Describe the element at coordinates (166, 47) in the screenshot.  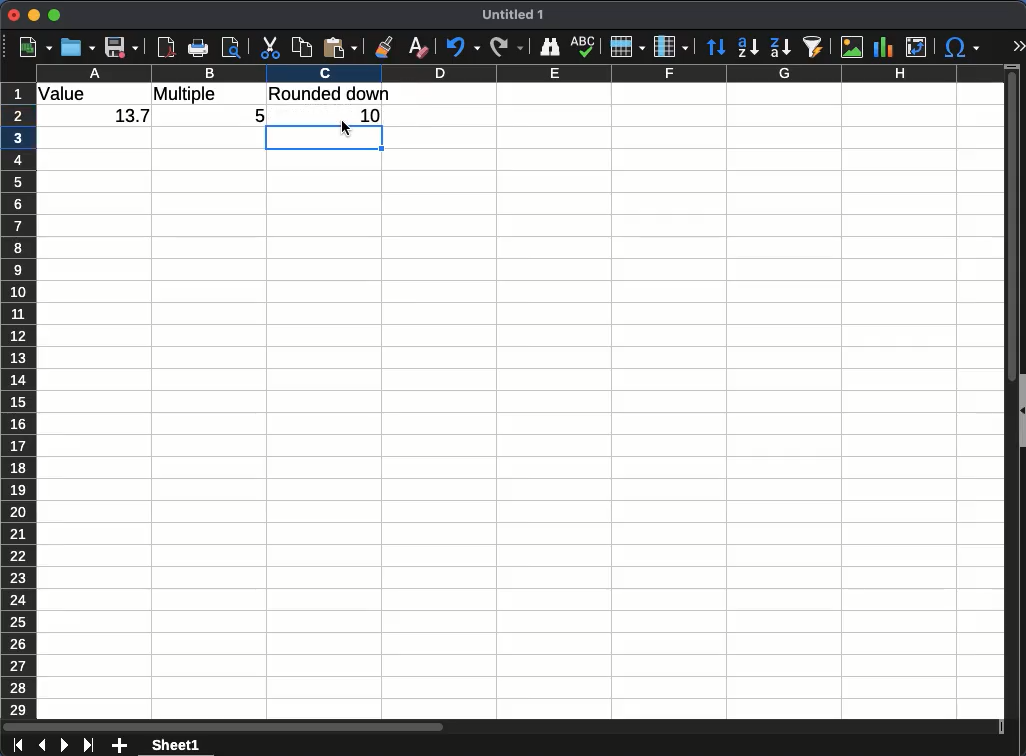
I see `pdf reader` at that location.